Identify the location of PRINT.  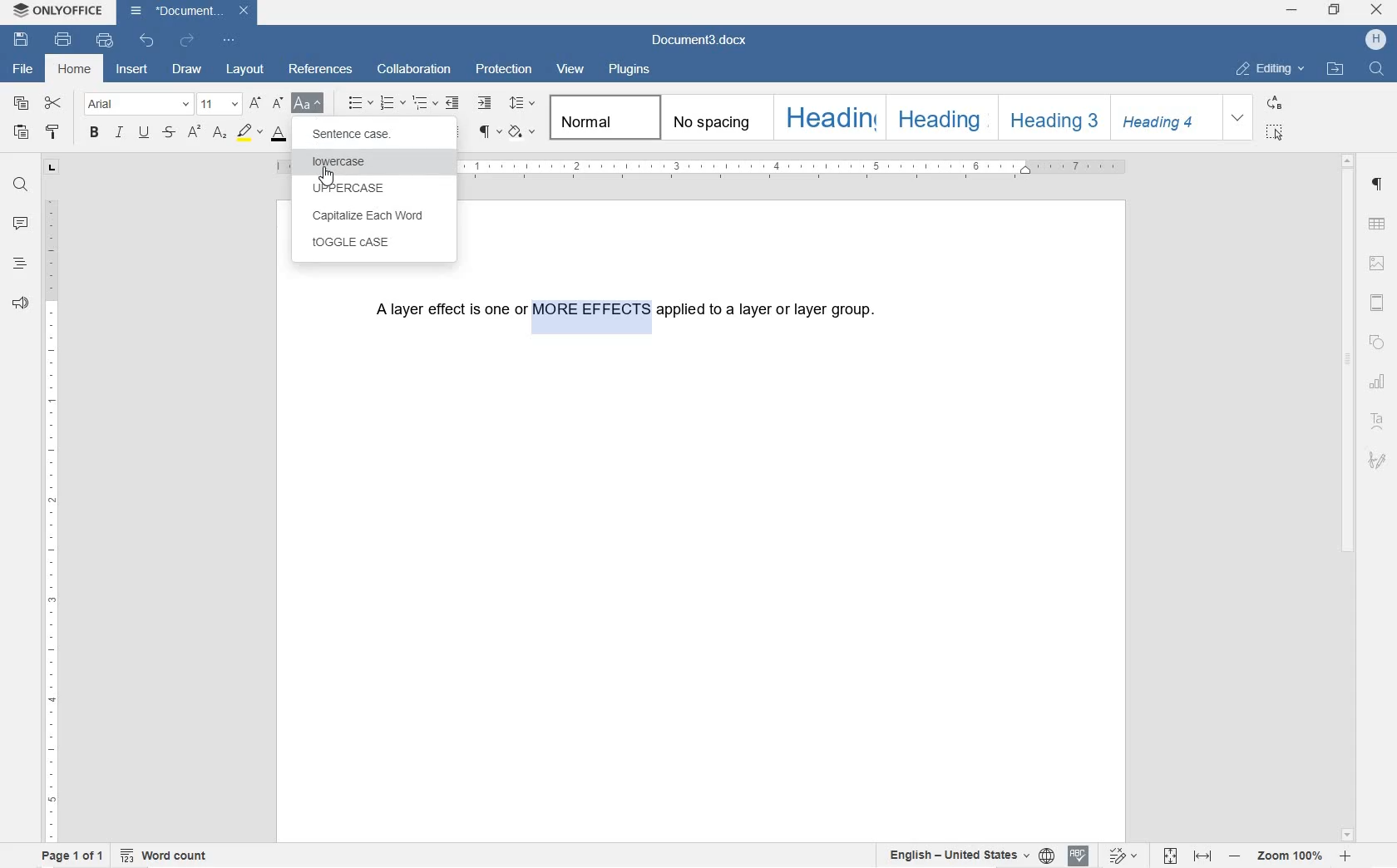
(62, 40).